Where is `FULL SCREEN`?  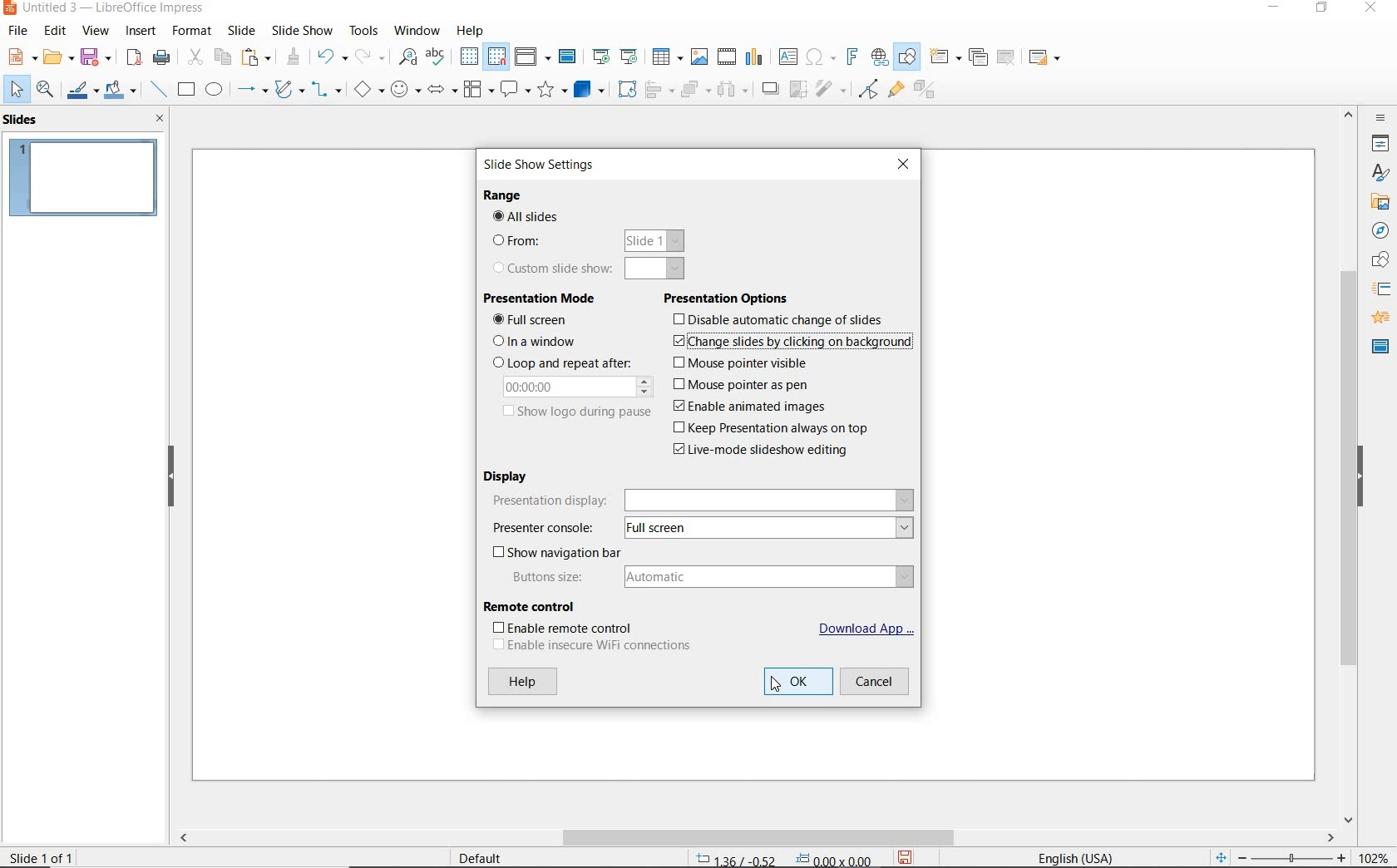
FULL SCREEN is located at coordinates (530, 321).